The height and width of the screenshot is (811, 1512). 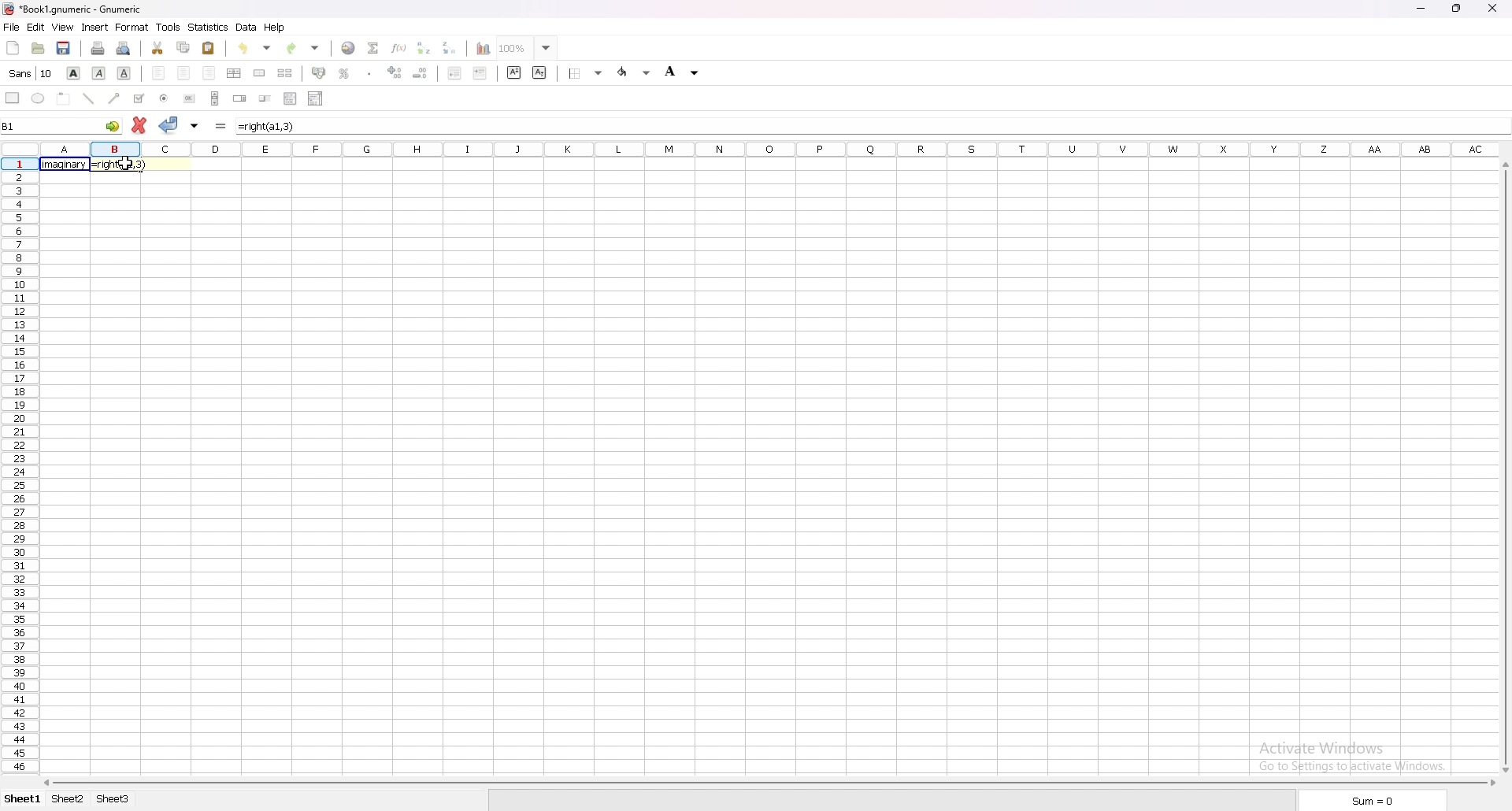 I want to click on sheet 2, so click(x=69, y=800).